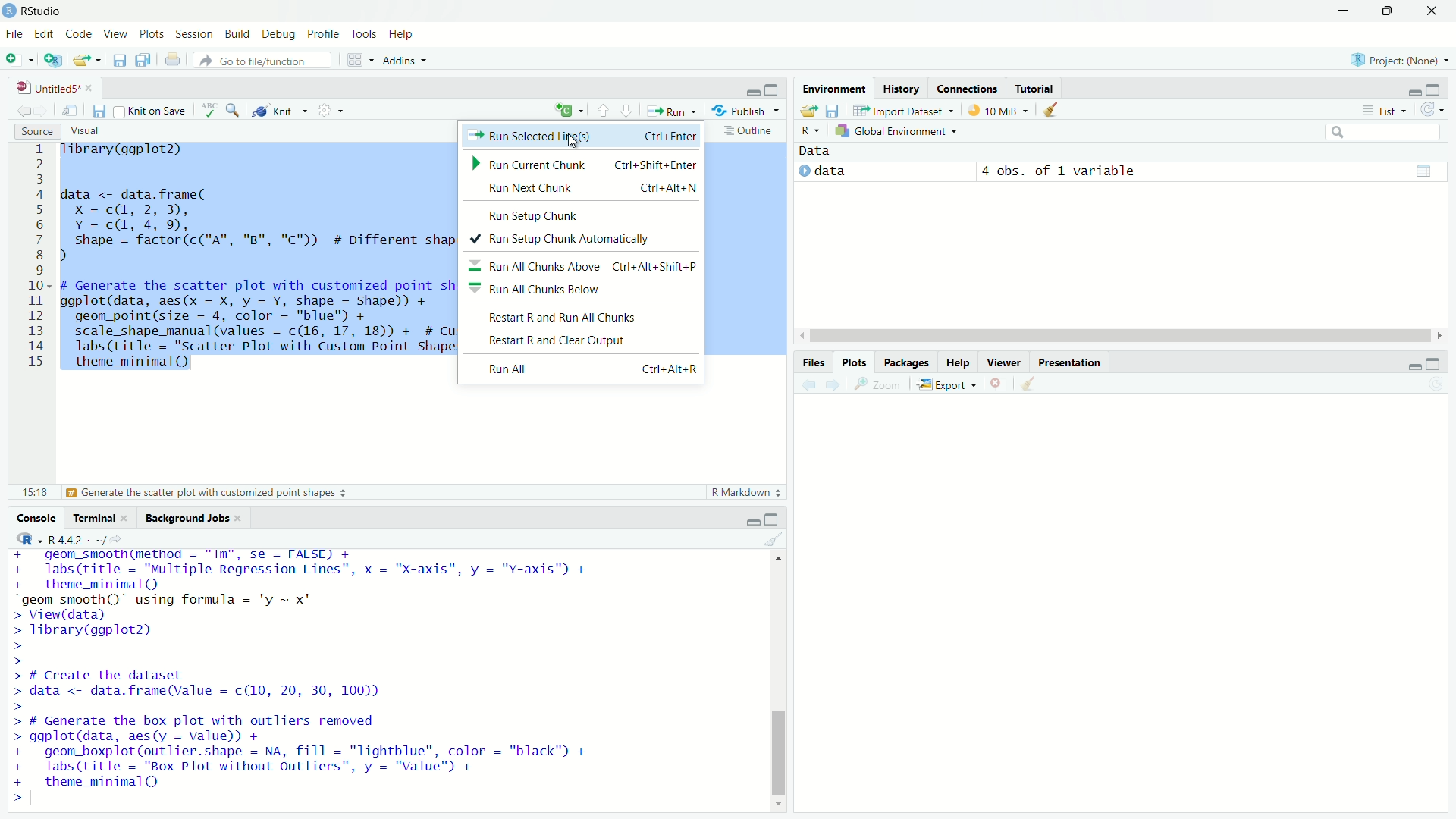  I want to click on horizontal scroll bar, so click(1121, 335).